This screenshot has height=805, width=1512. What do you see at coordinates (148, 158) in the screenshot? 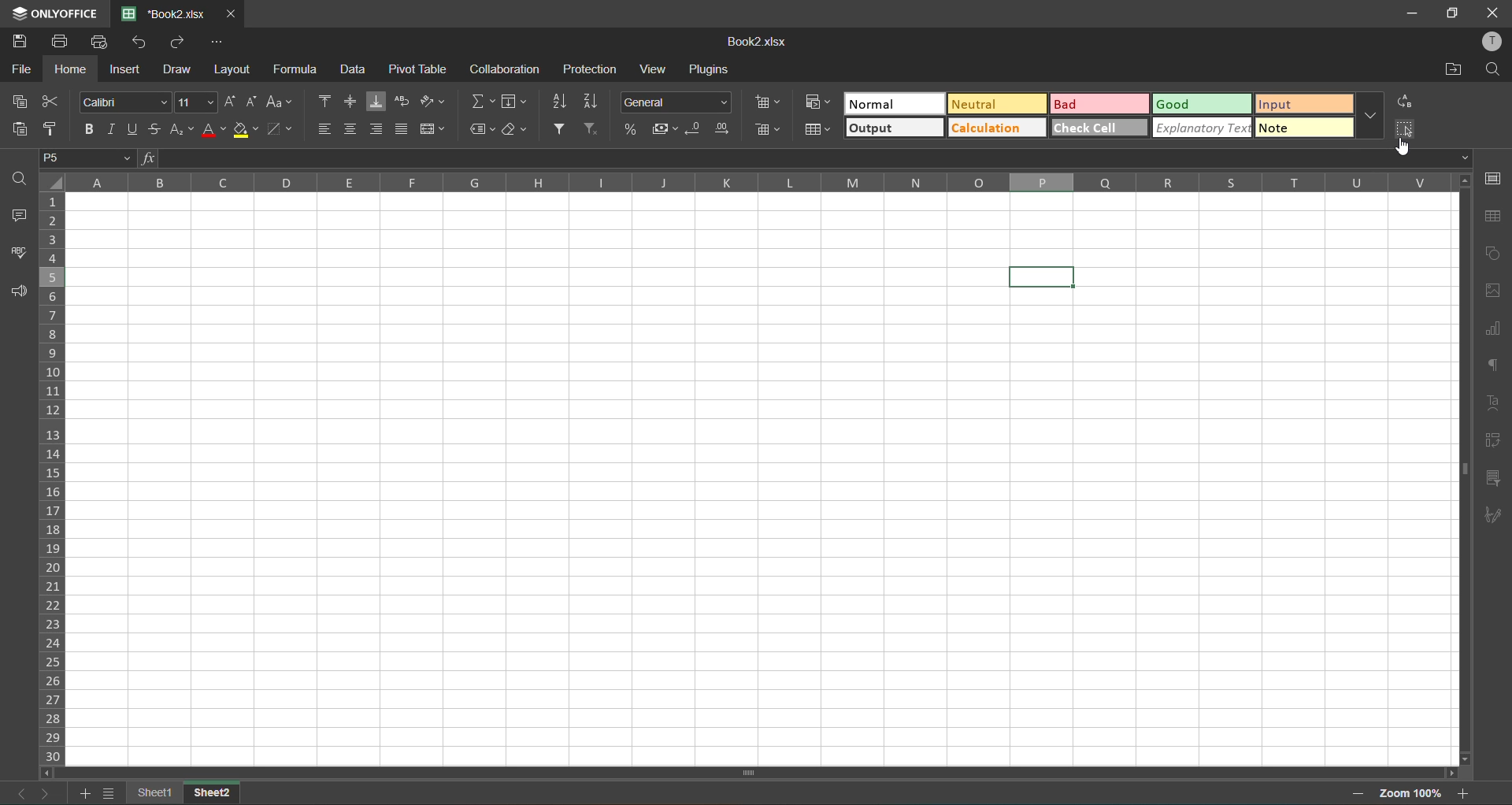
I see `fx` at bounding box center [148, 158].